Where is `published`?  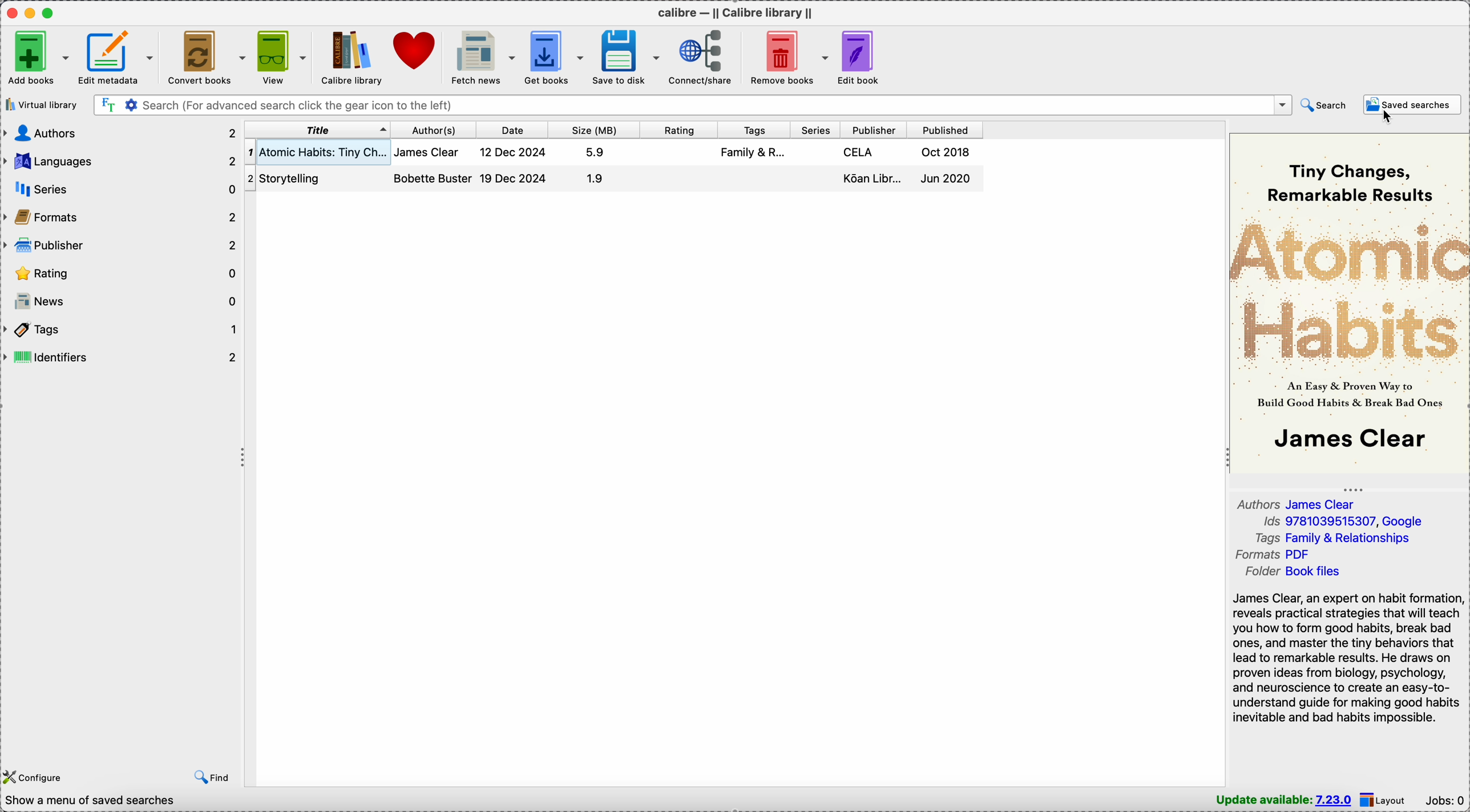 published is located at coordinates (944, 130).